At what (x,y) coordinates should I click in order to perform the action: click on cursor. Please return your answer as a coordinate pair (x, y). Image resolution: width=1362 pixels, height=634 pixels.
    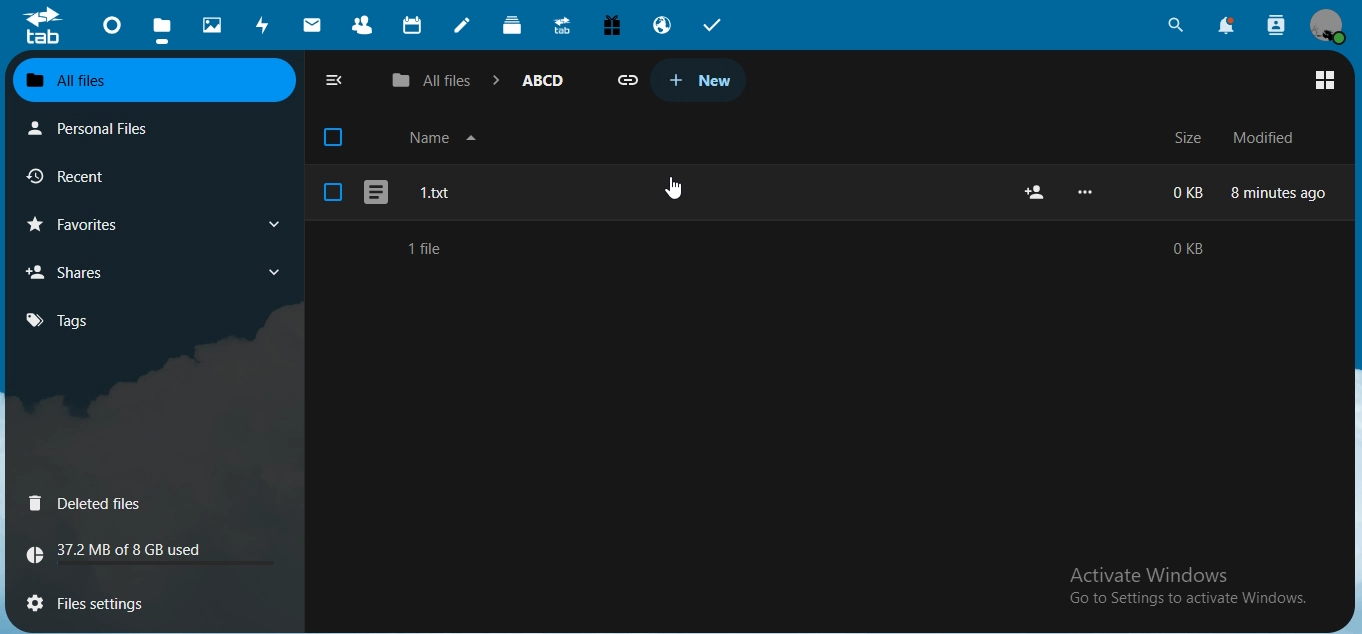
    Looking at the image, I should click on (670, 187).